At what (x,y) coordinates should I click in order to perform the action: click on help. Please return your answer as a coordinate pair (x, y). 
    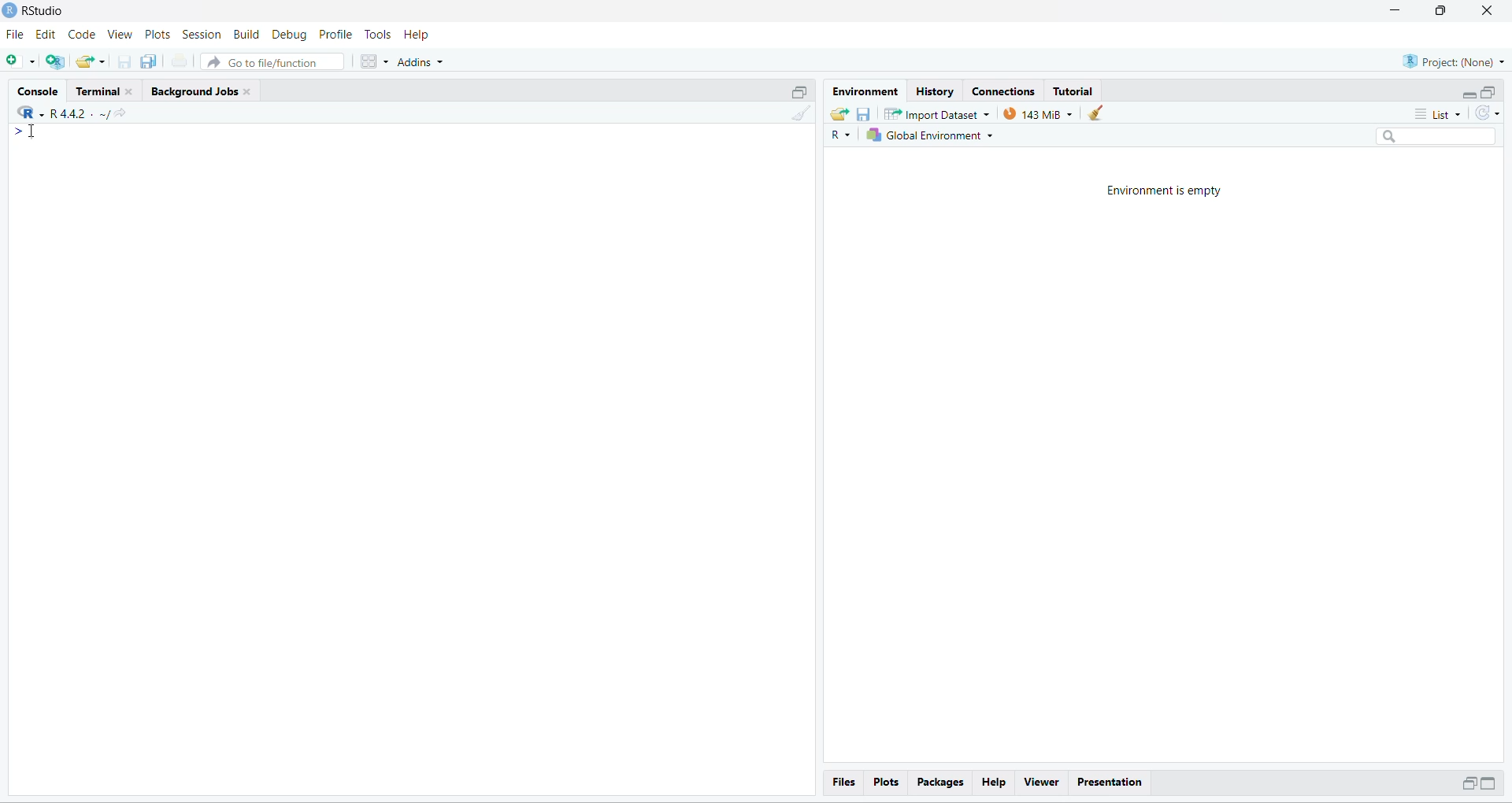
    Looking at the image, I should click on (995, 783).